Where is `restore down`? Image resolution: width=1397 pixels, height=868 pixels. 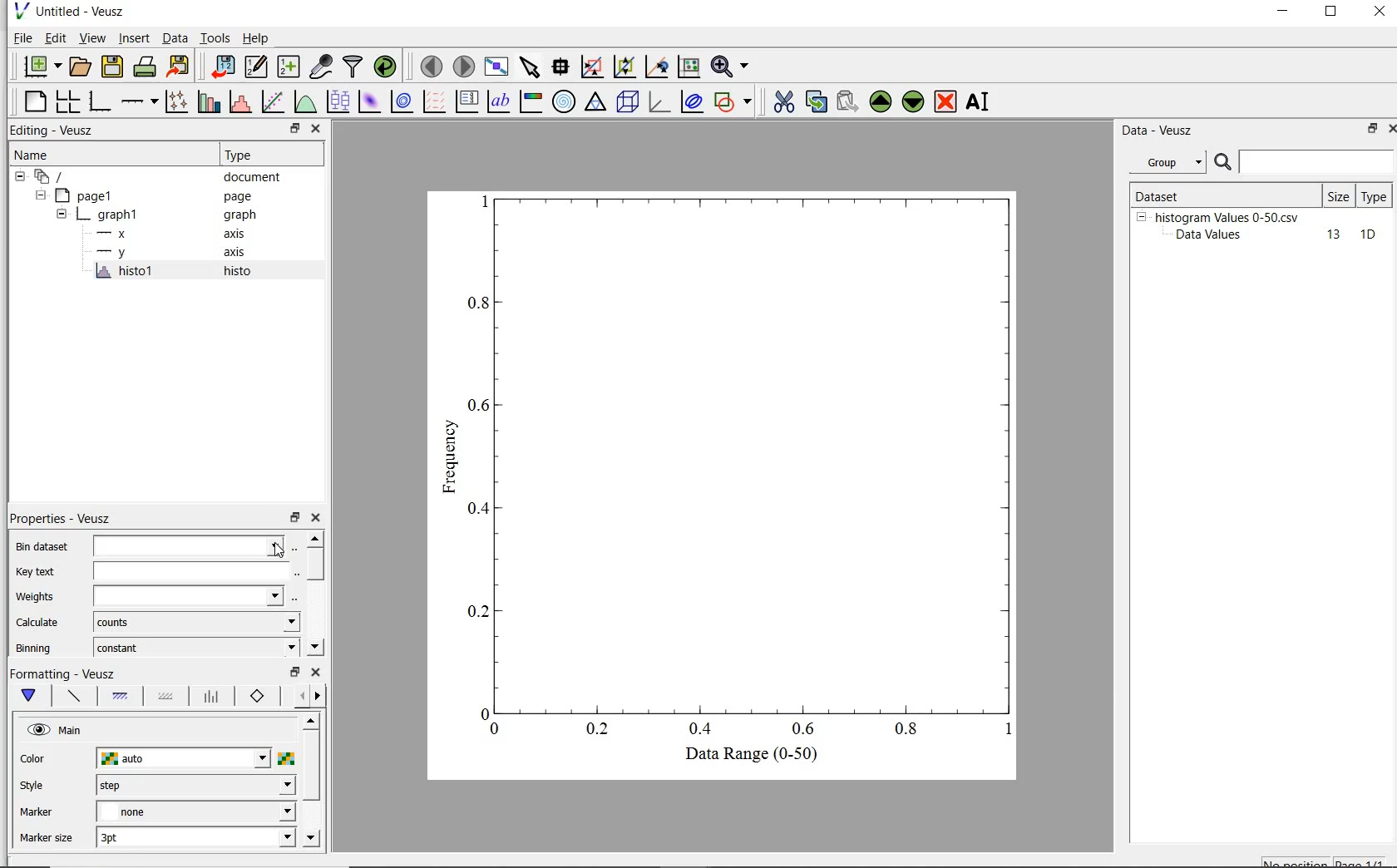 restore down is located at coordinates (294, 673).